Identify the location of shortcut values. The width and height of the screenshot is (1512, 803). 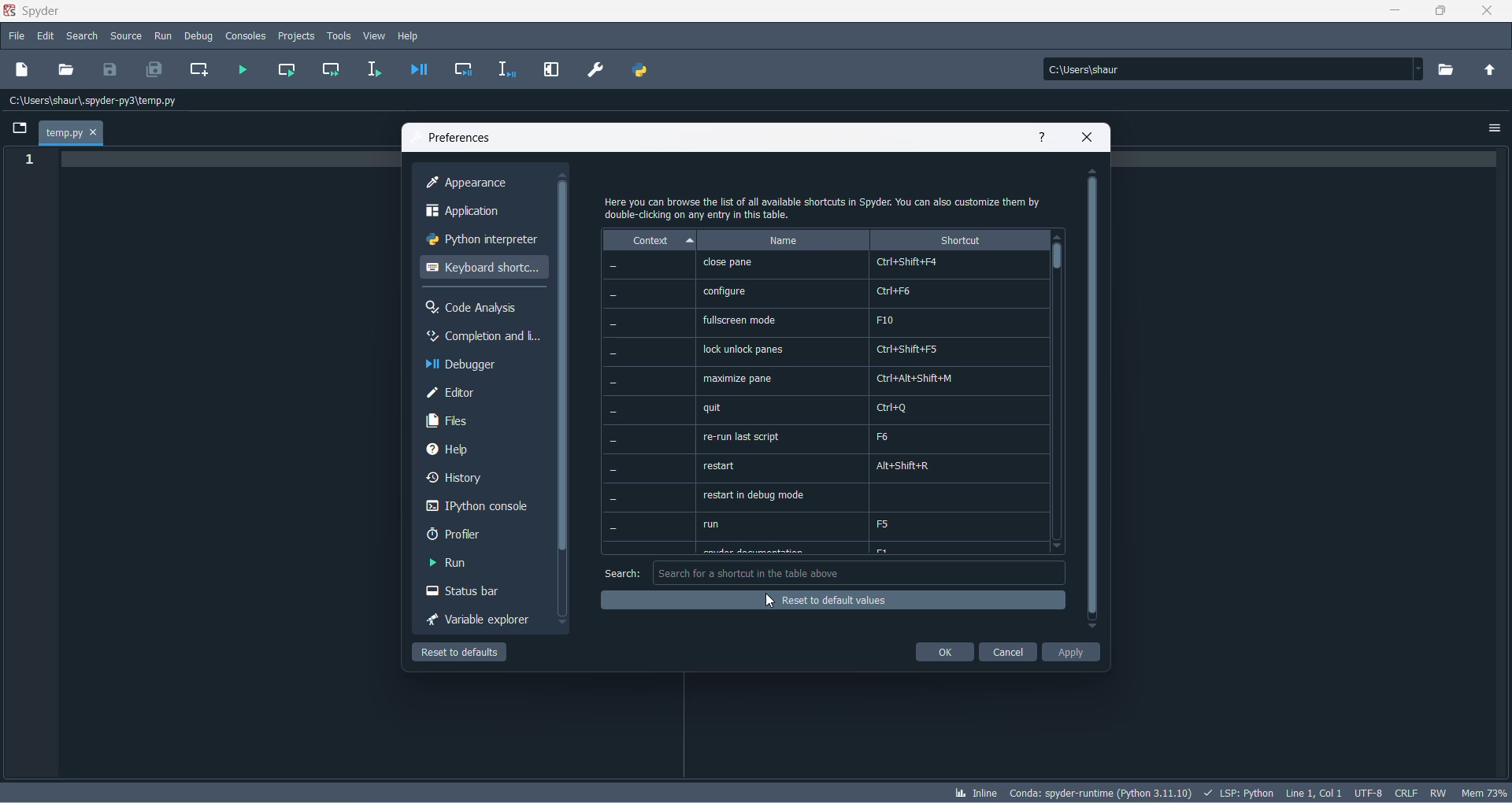
(961, 405).